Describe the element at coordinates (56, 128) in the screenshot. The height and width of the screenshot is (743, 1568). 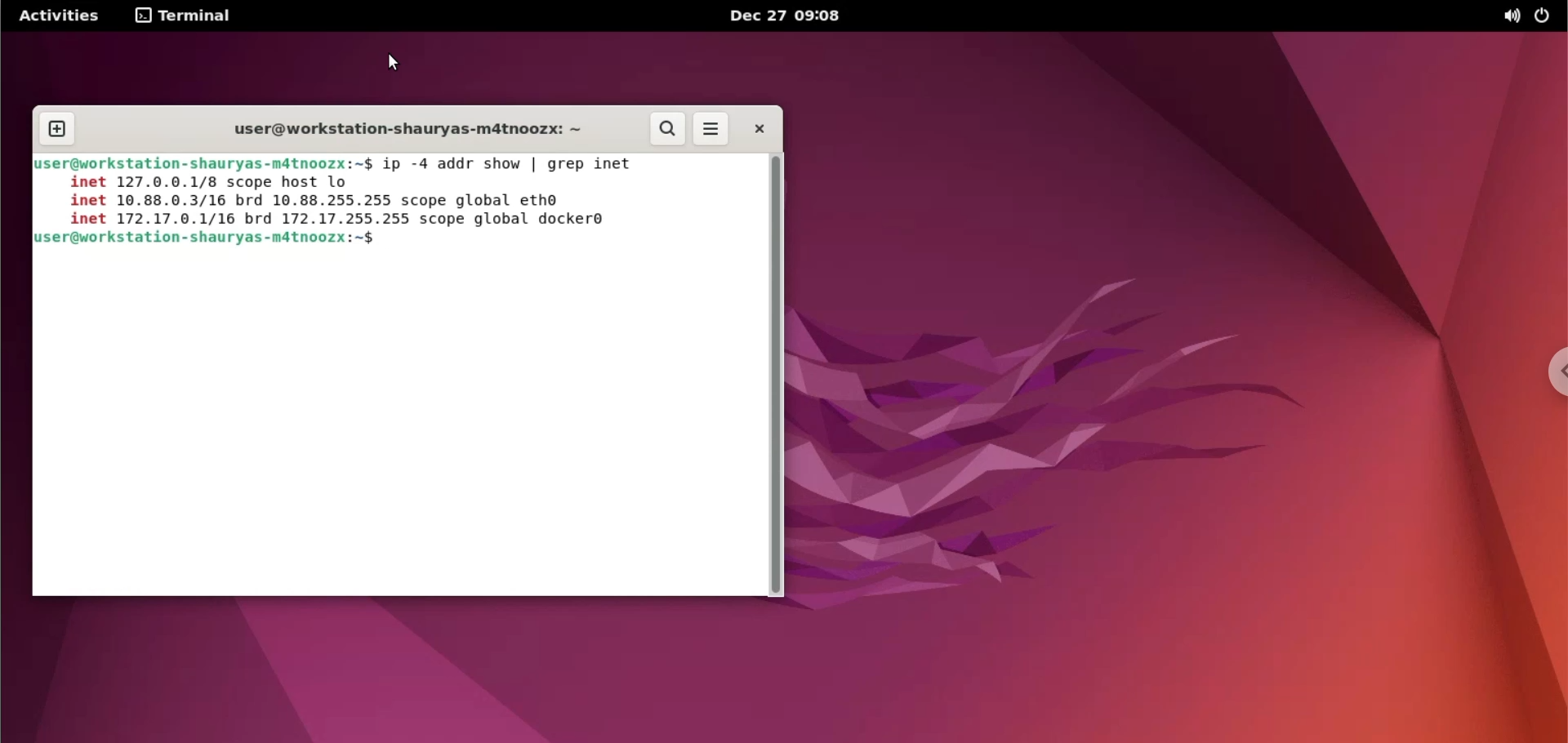
I see `new tab` at that location.